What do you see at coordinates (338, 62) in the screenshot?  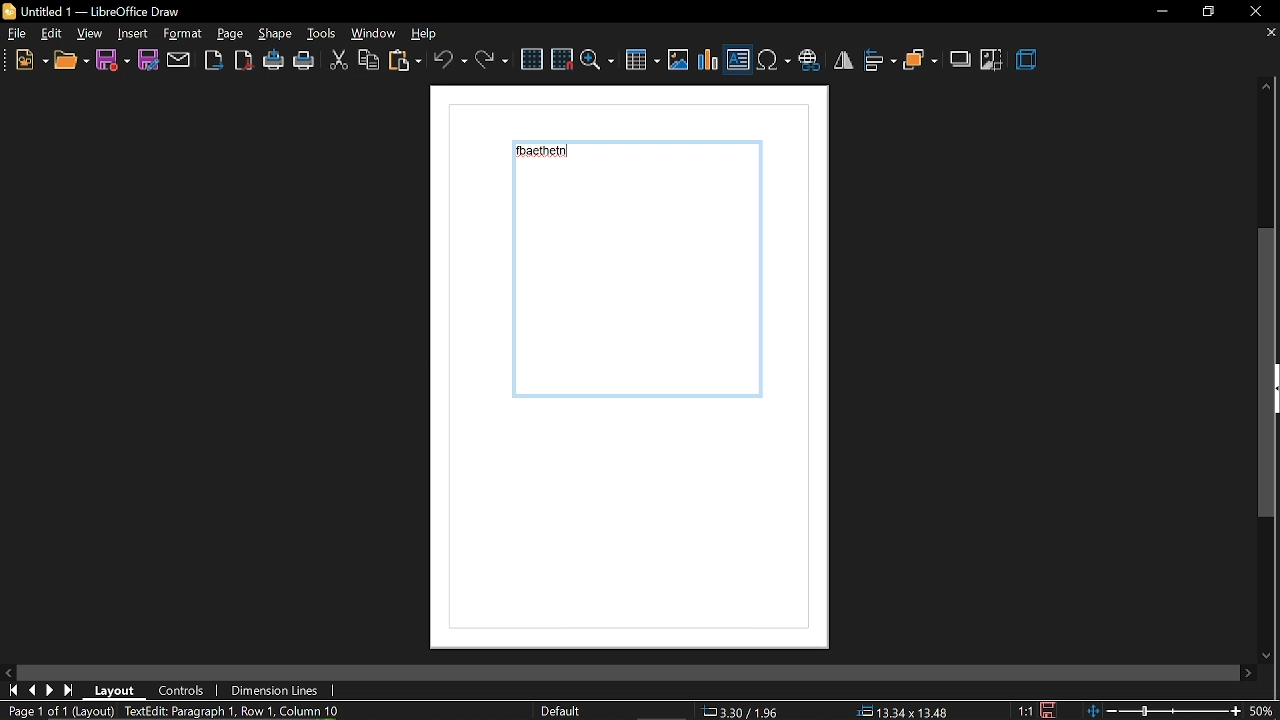 I see `cut ` at bounding box center [338, 62].